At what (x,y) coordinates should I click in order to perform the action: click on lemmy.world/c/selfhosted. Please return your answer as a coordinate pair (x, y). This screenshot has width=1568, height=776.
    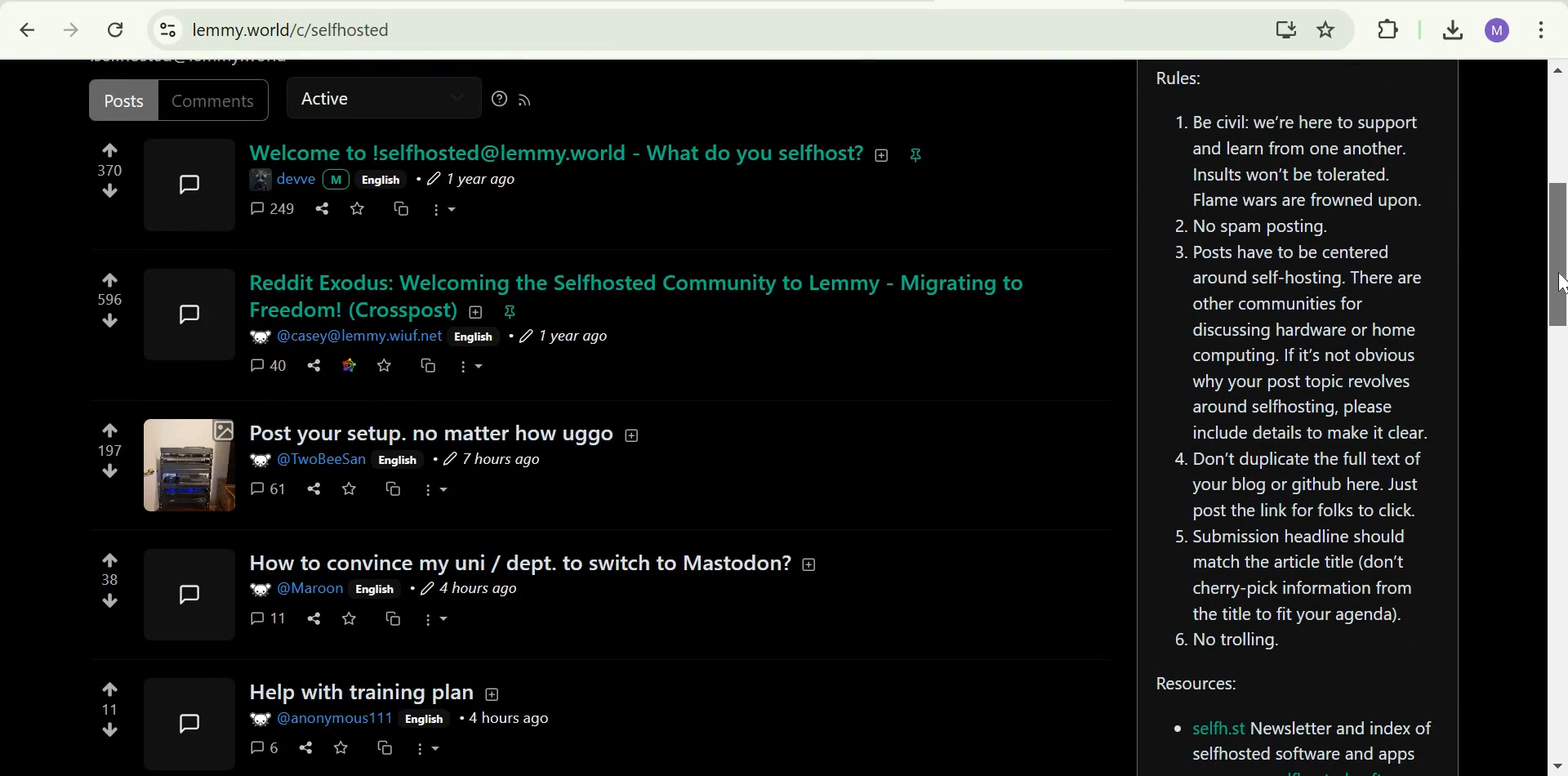
    Looking at the image, I should click on (292, 30).